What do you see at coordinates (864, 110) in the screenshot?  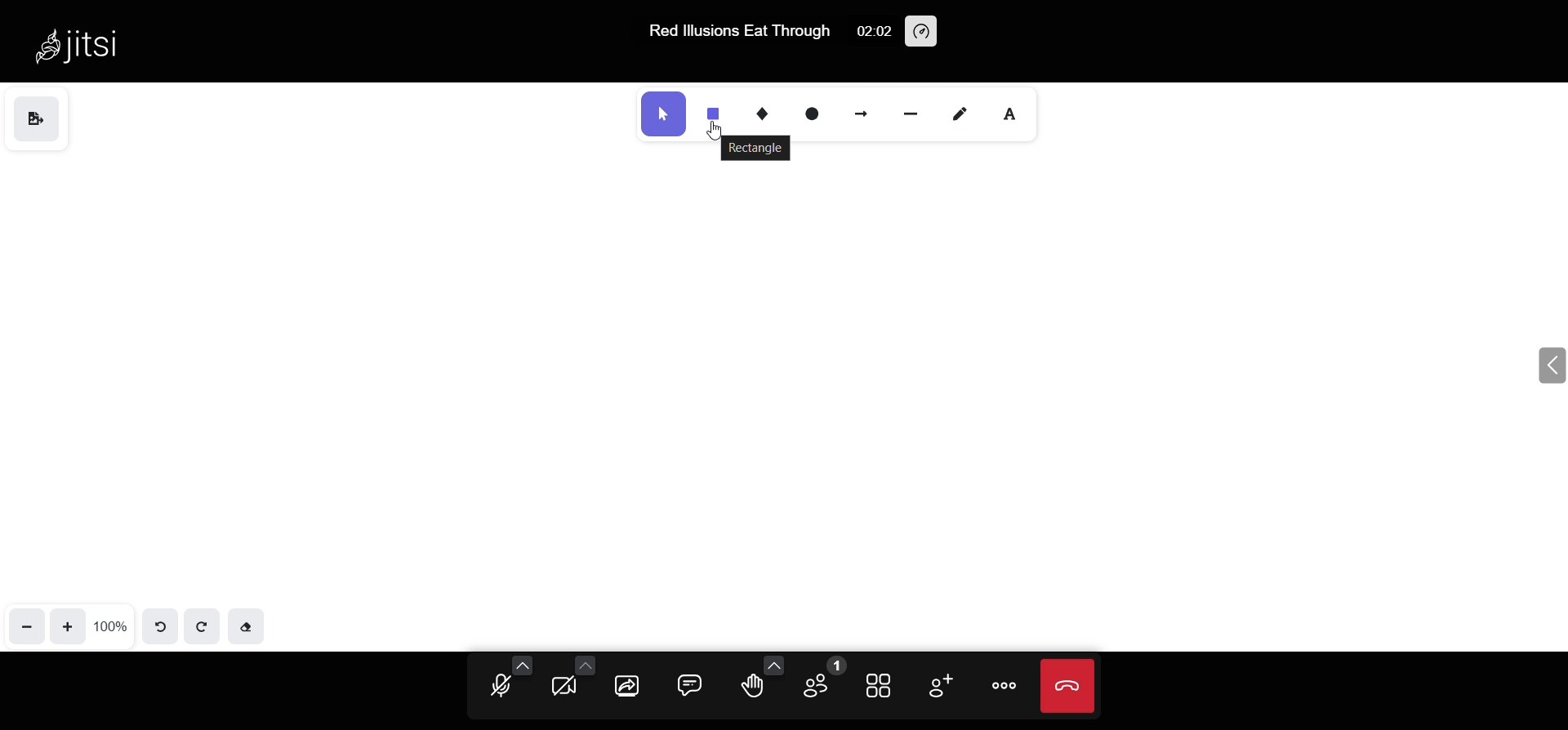 I see `arrow` at bounding box center [864, 110].